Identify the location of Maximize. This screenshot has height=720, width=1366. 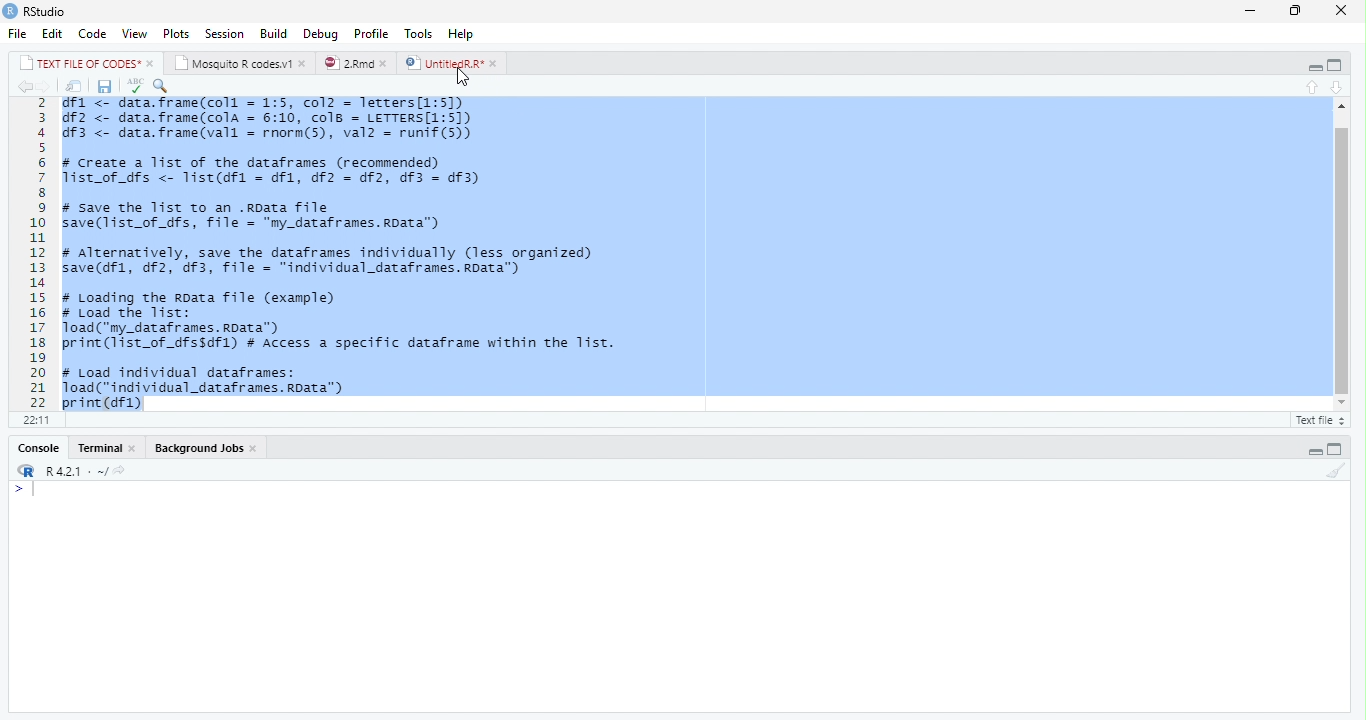
(1298, 10).